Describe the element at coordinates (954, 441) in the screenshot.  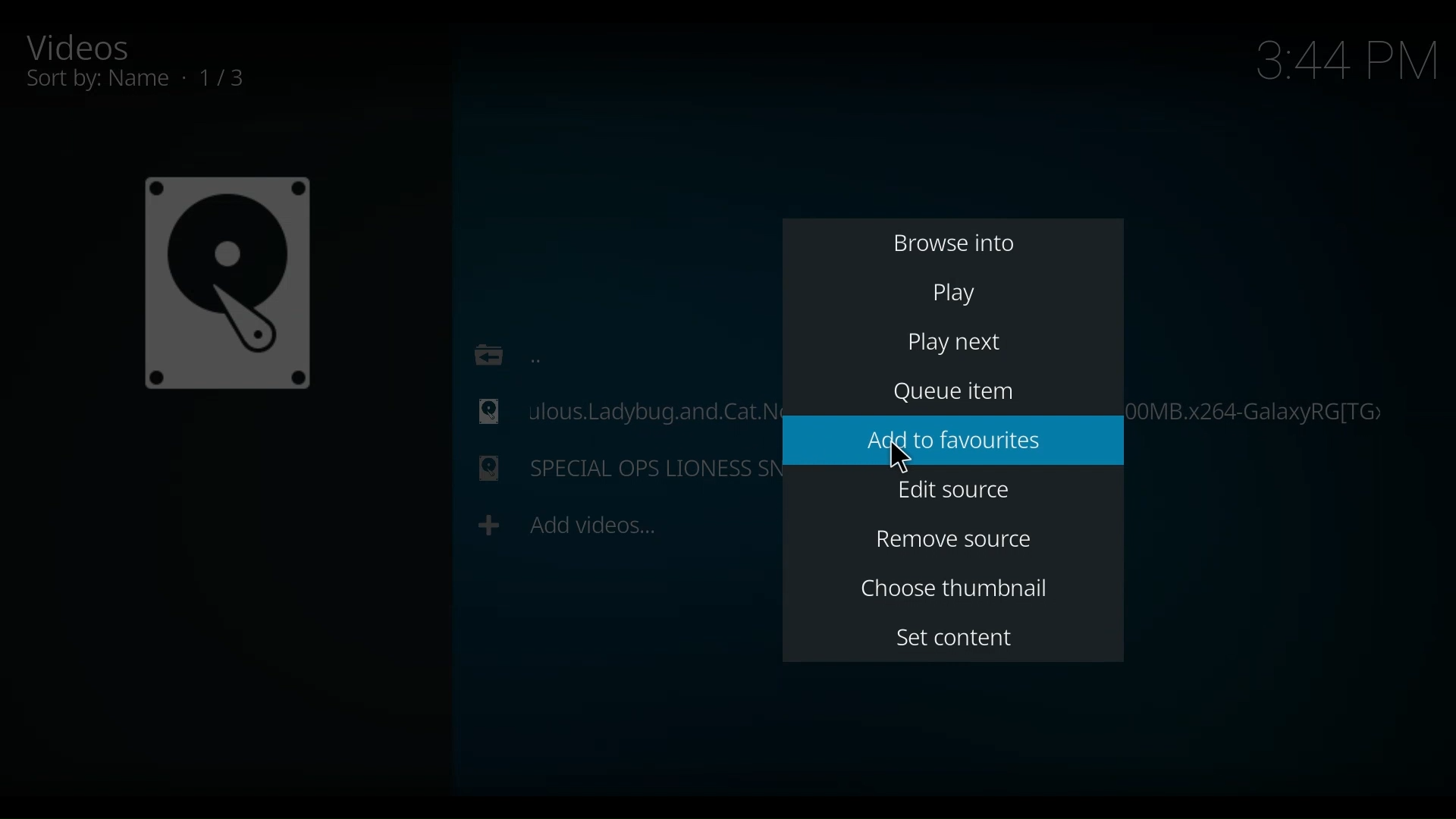
I see `Add to files` at that location.